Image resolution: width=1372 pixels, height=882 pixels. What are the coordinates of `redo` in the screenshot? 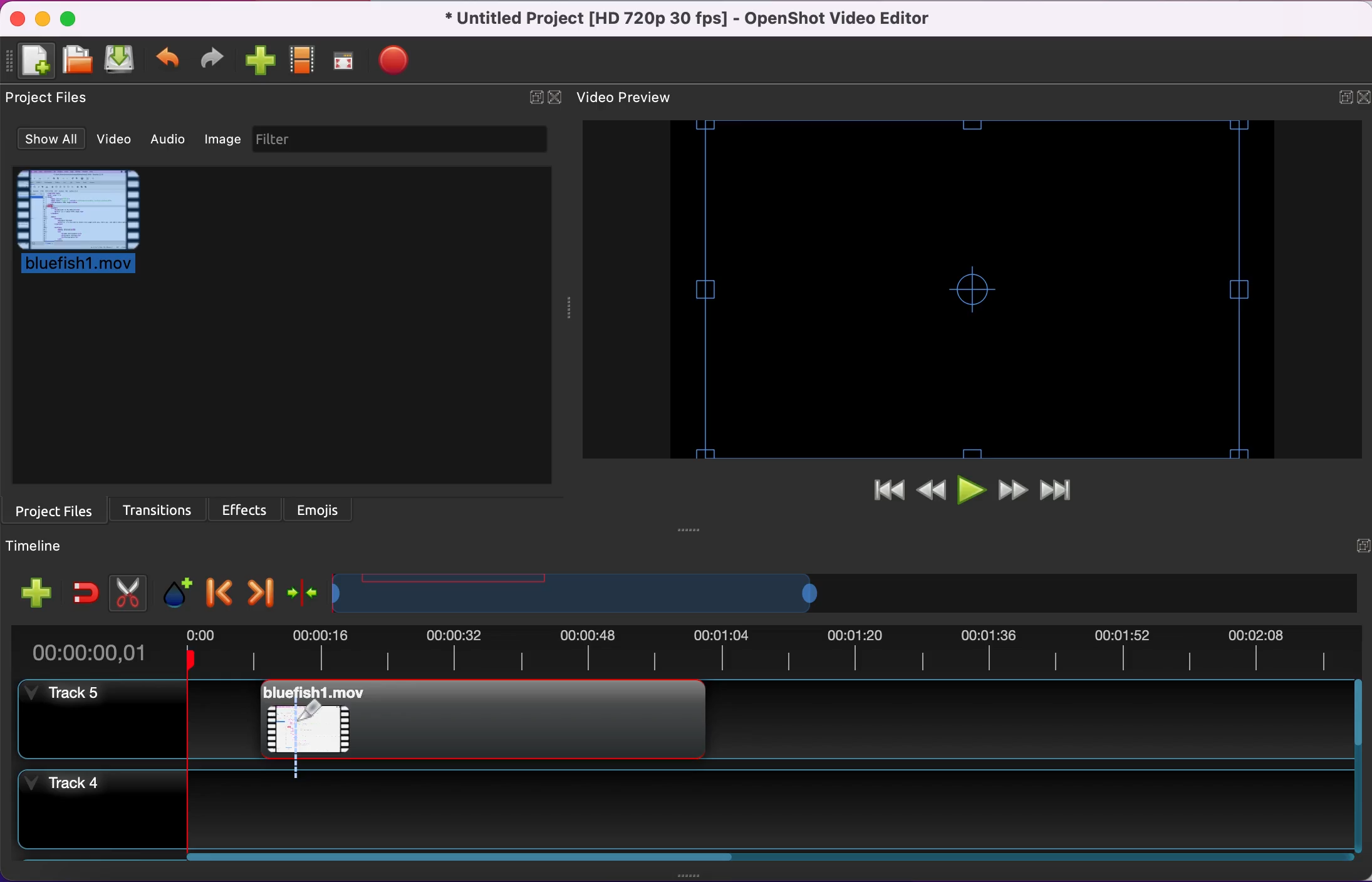 It's located at (216, 61).